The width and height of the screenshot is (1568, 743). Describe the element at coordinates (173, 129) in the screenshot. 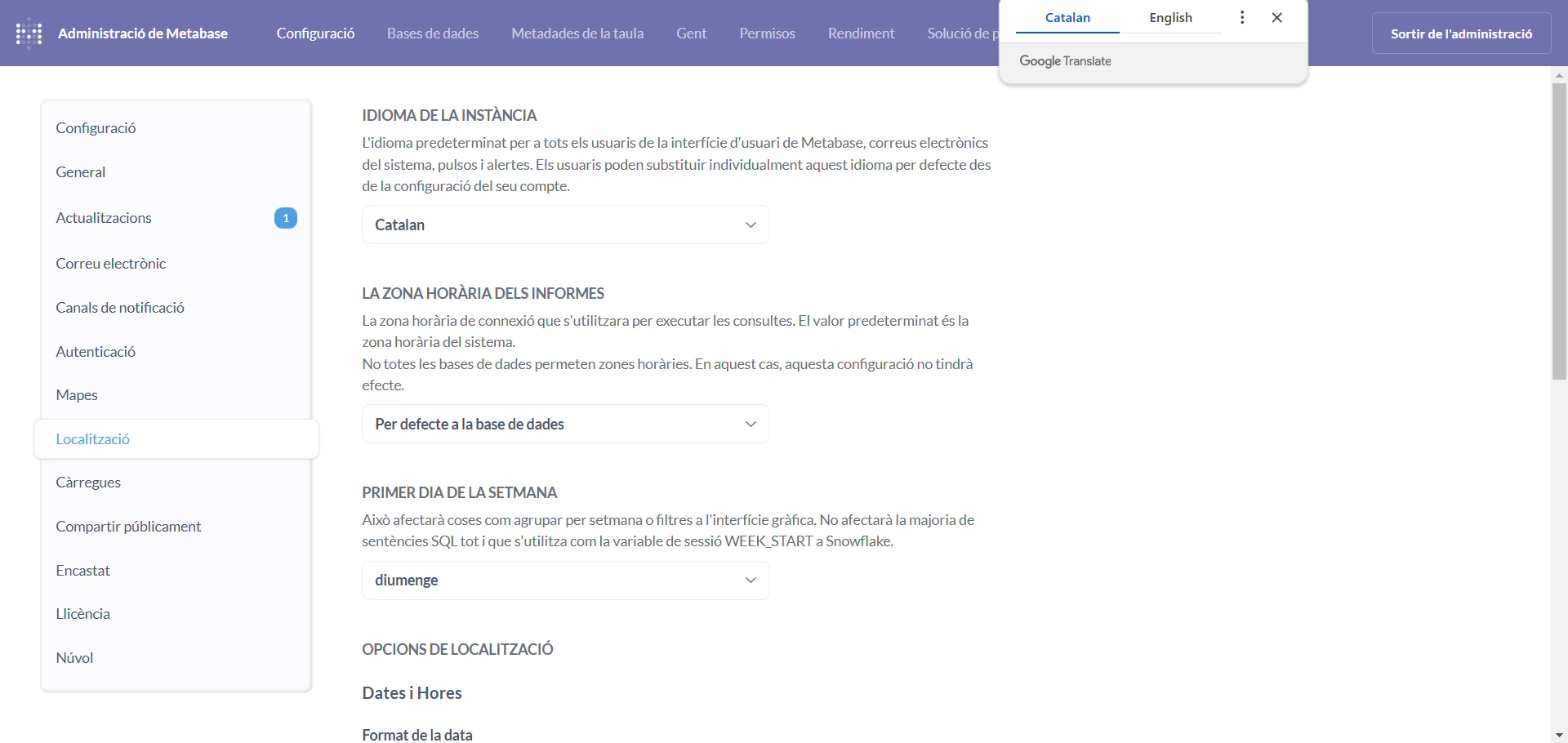

I see `setup` at that location.